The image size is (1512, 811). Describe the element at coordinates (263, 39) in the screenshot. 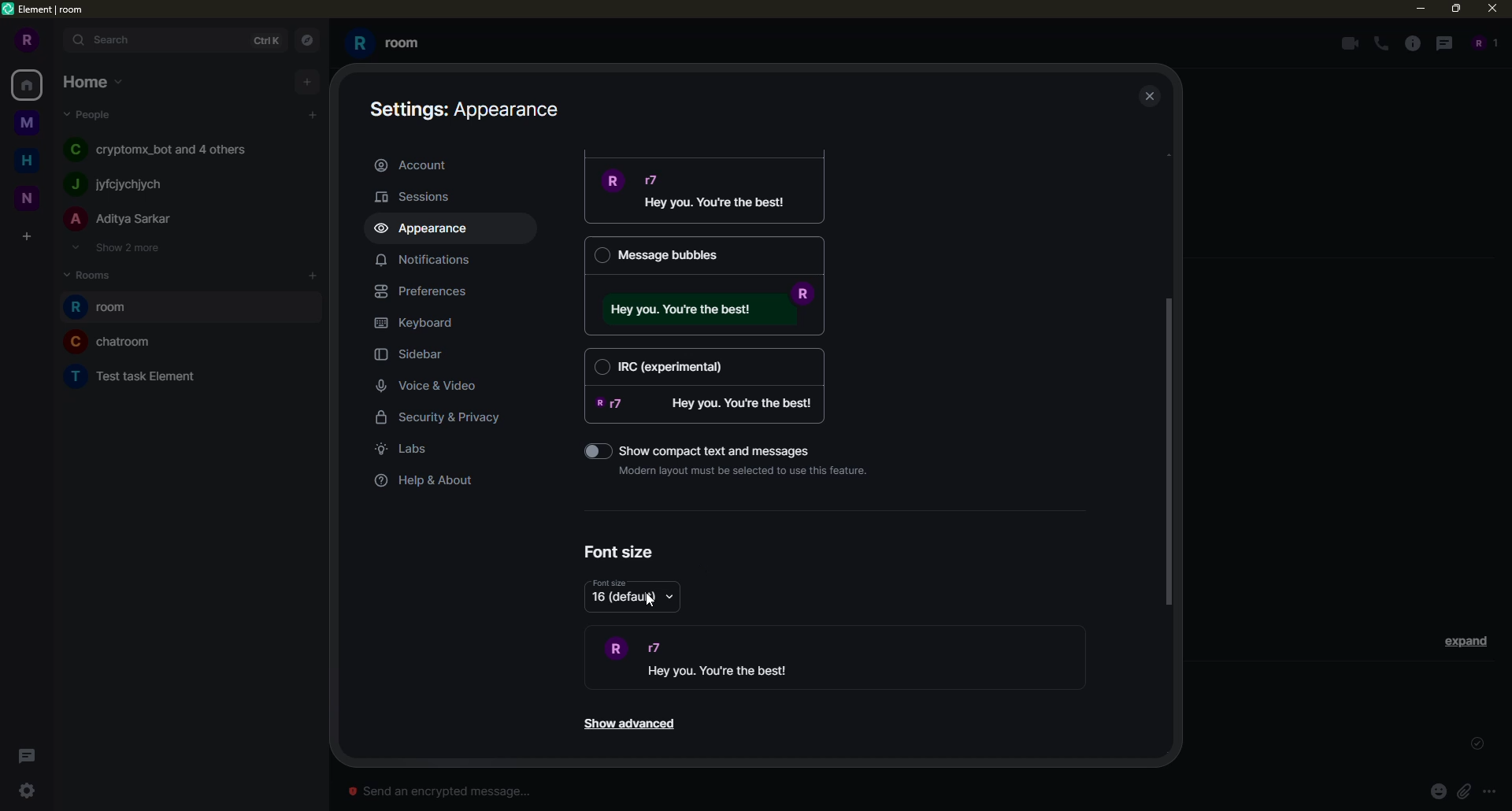

I see `ctrlK` at that location.